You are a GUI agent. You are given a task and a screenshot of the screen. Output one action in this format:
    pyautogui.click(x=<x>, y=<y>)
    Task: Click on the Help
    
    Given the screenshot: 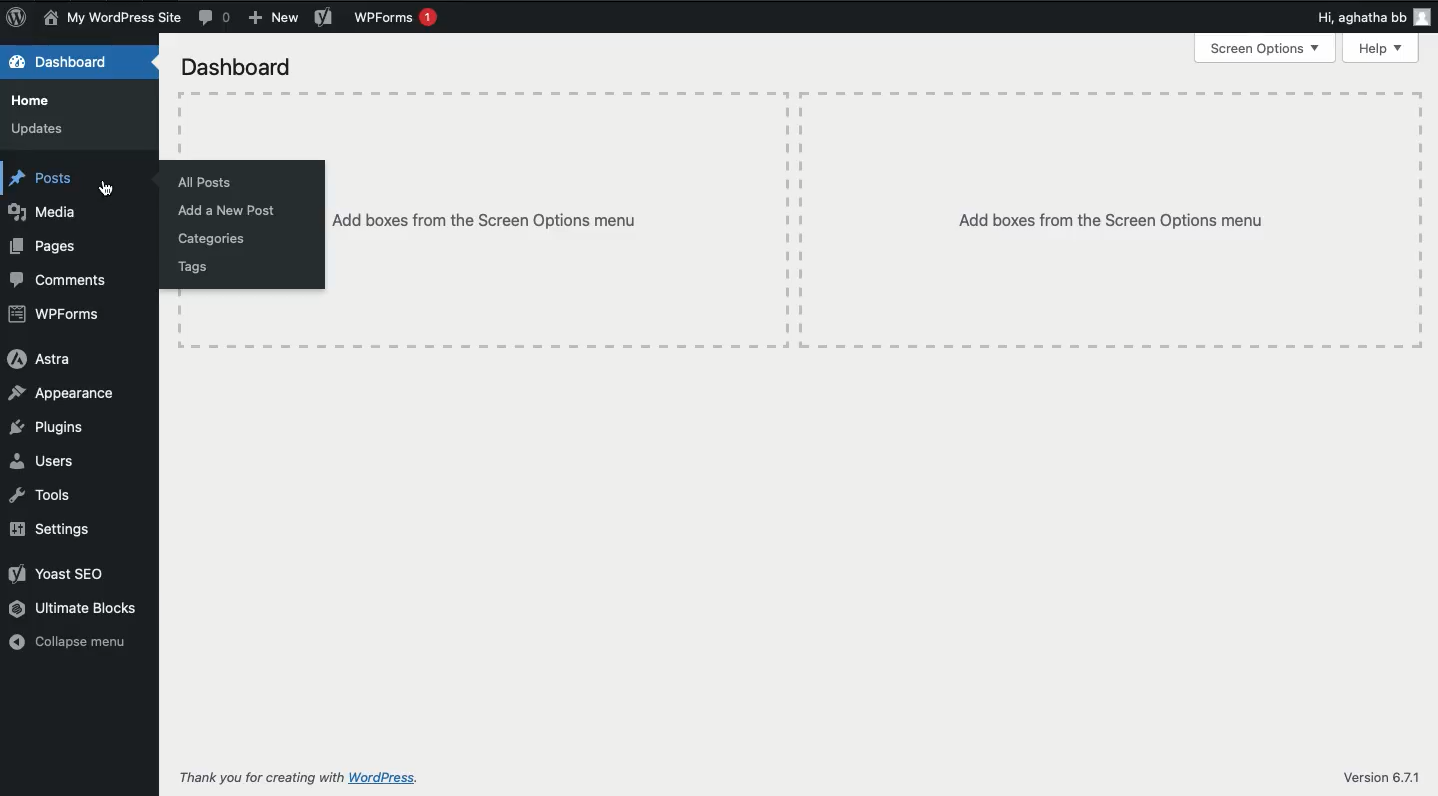 What is the action you would take?
    pyautogui.click(x=1381, y=47)
    